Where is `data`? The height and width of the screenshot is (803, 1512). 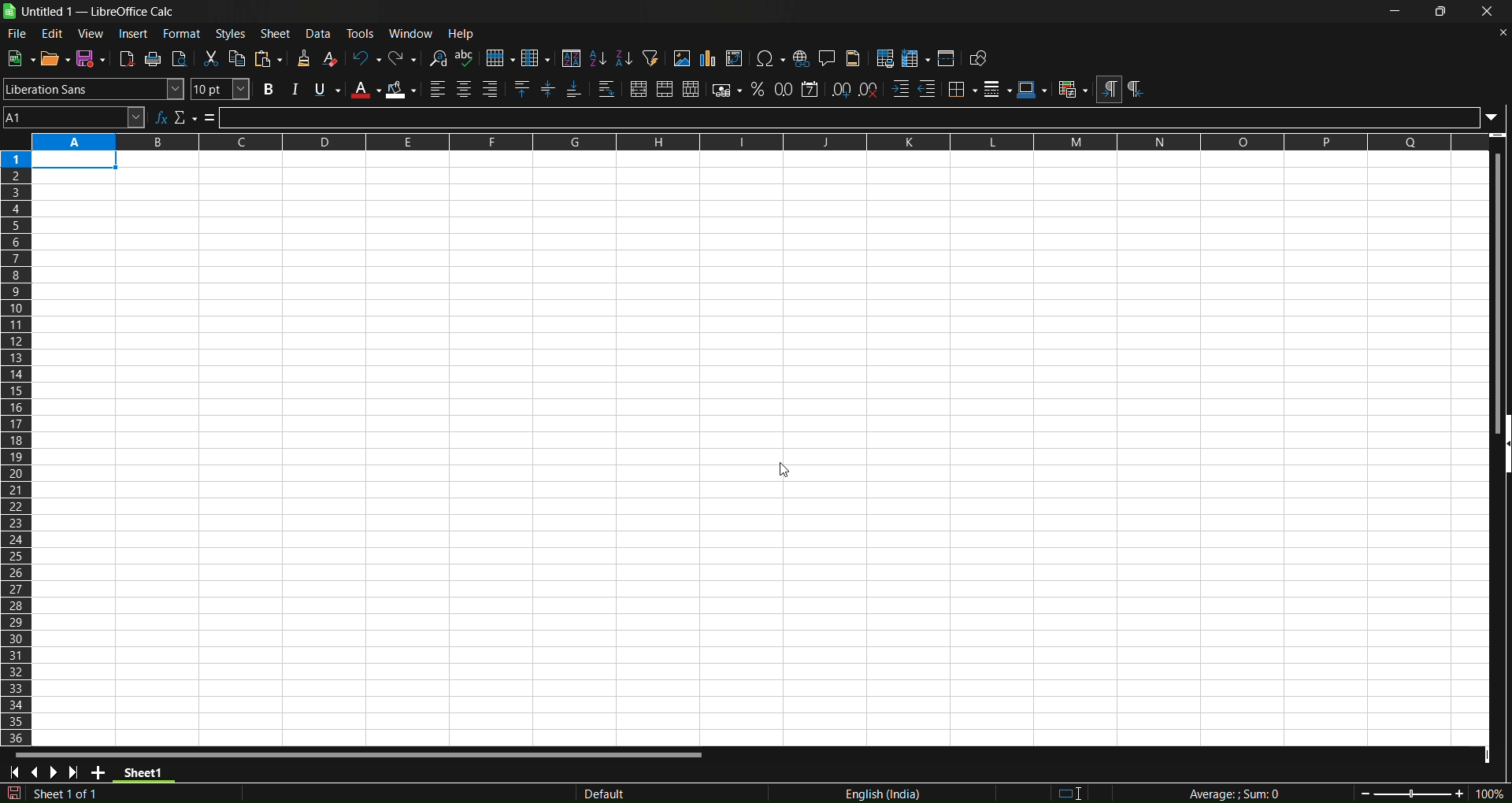 data is located at coordinates (322, 33).